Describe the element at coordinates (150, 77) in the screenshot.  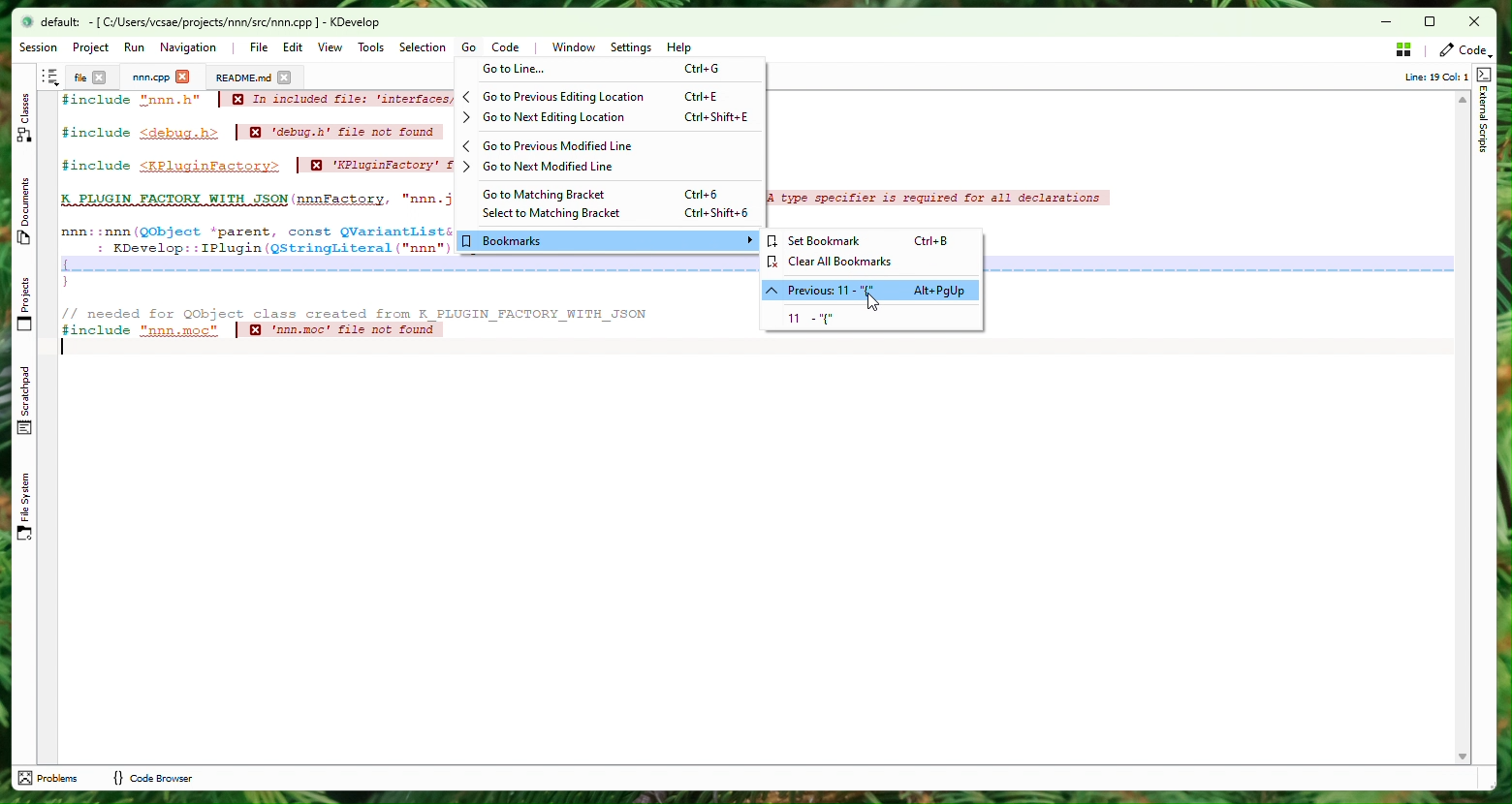
I see `Project` at that location.